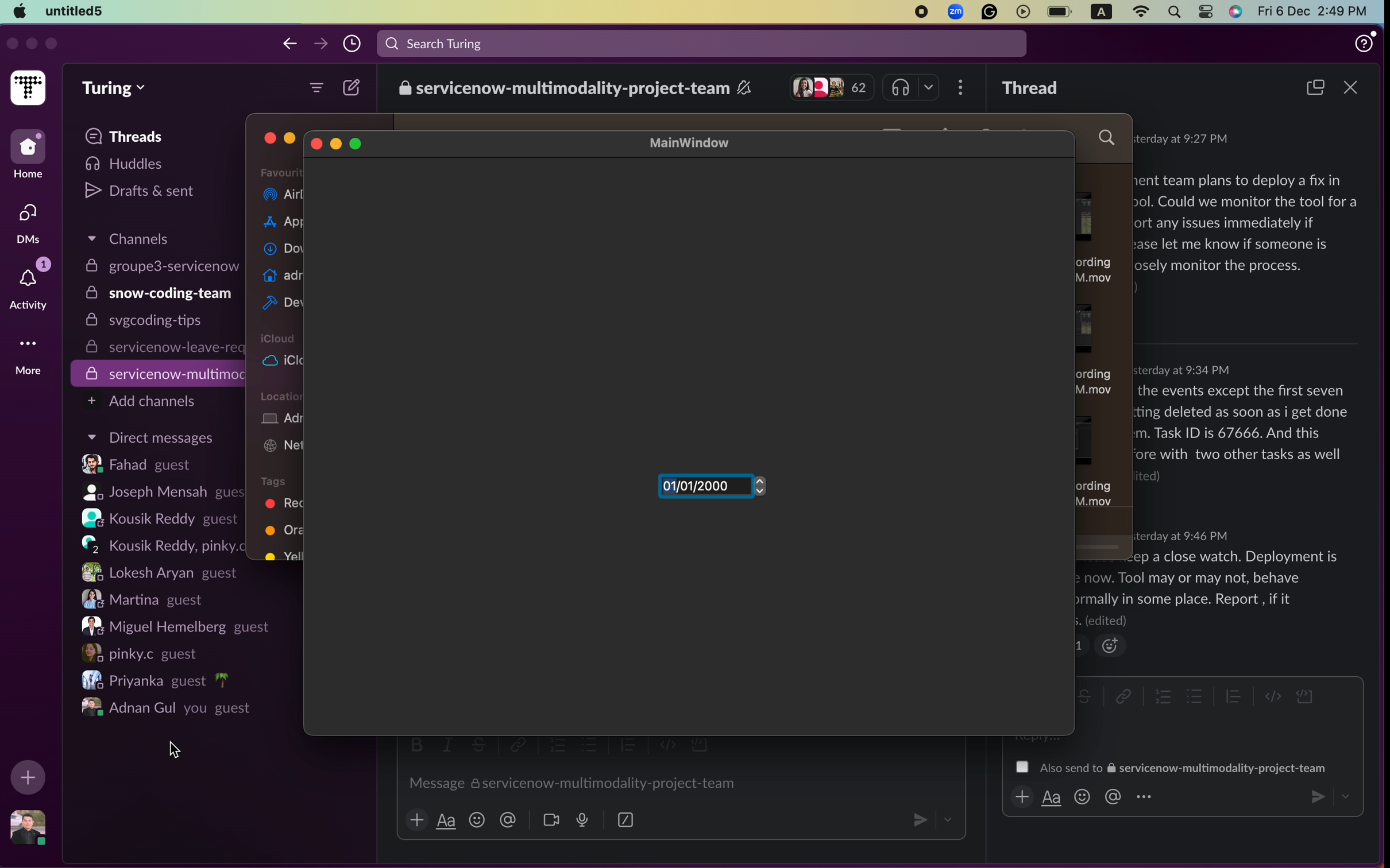 This screenshot has width=1390, height=868. I want to click on options, so click(1144, 796).